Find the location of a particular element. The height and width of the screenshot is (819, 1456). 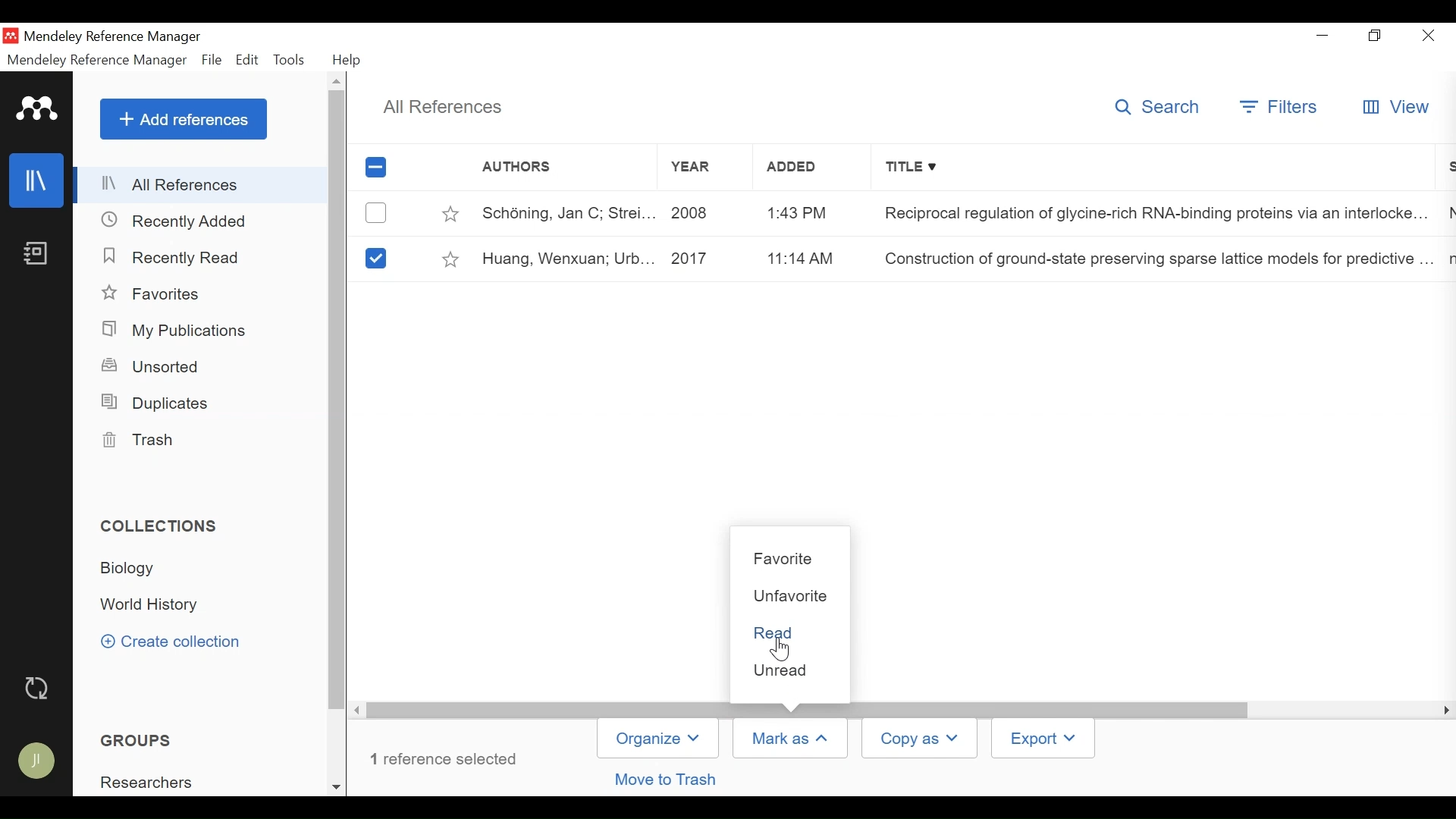

File is located at coordinates (212, 60).